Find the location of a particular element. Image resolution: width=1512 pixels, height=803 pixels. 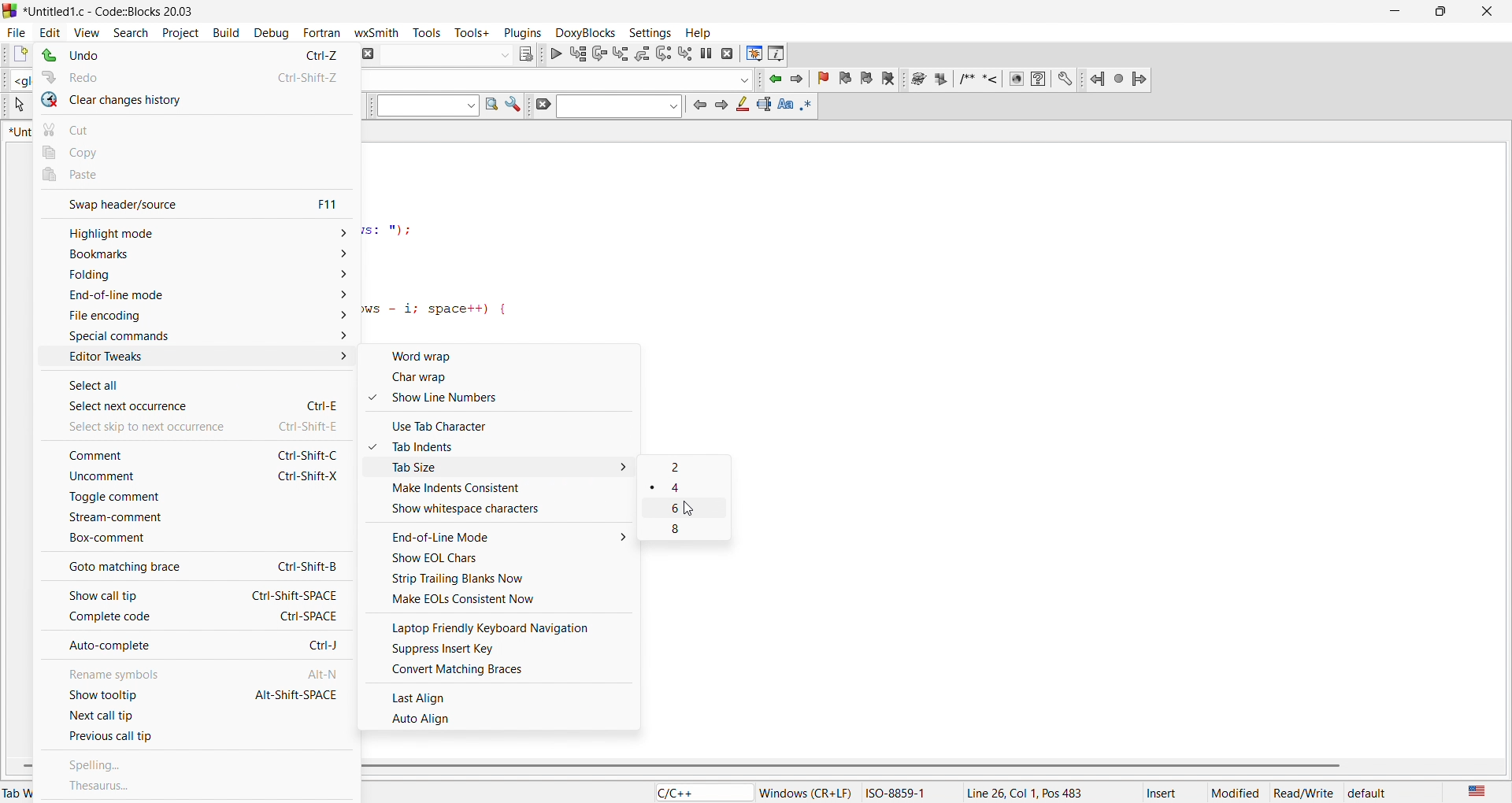

doxyblocks is located at coordinates (581, 30).